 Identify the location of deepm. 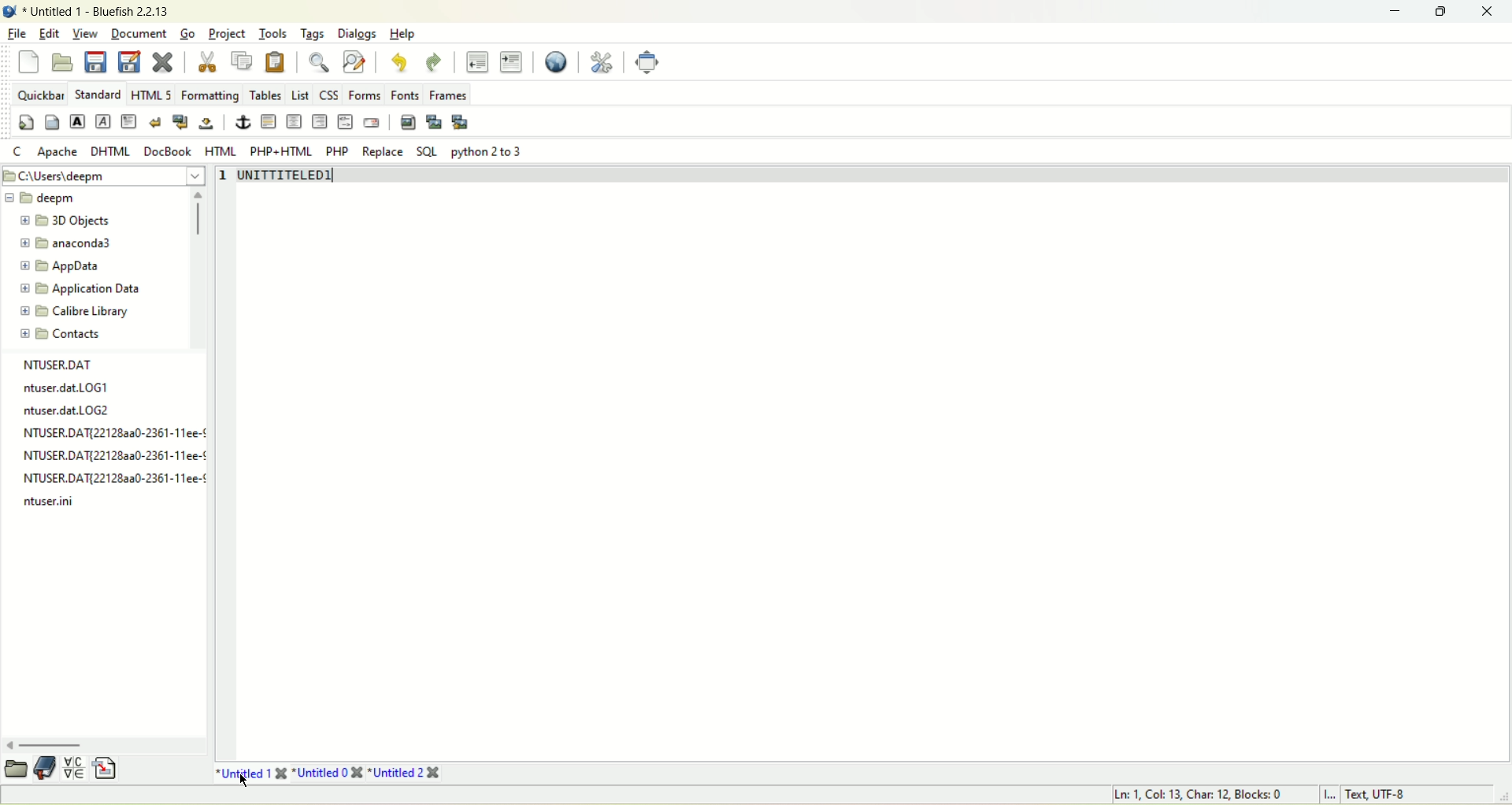
(39, 199).